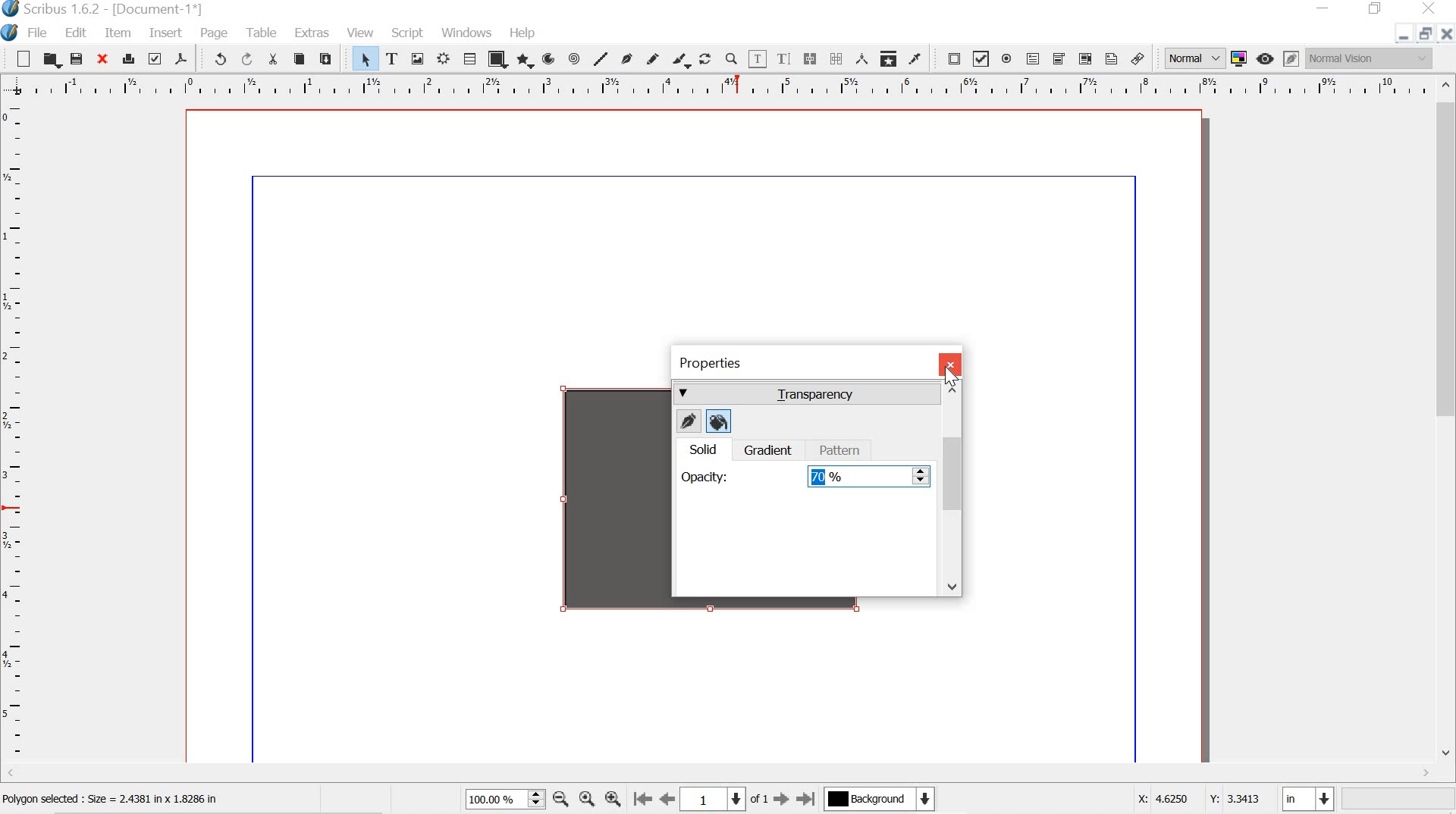  Describe the element at coordinates (1377, 9) in the screenshot. I see `restore down` at that location.